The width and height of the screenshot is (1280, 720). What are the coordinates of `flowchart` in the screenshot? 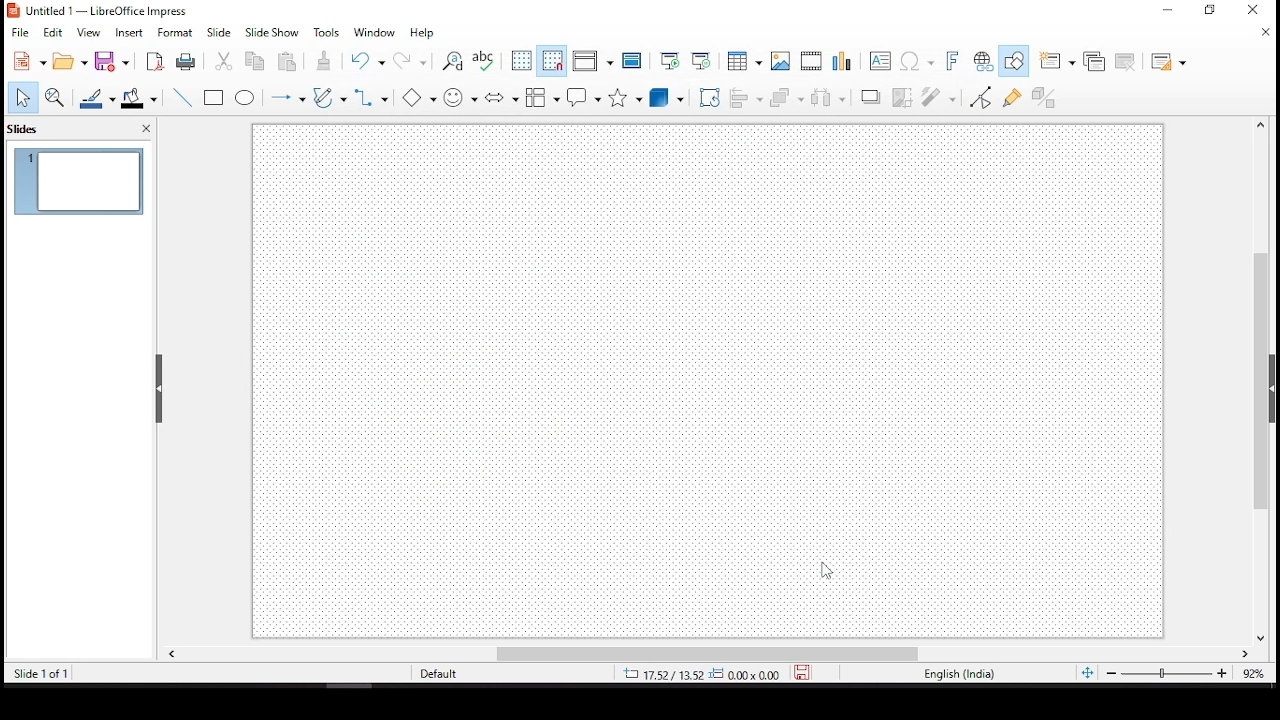 It's located at (544, 95).